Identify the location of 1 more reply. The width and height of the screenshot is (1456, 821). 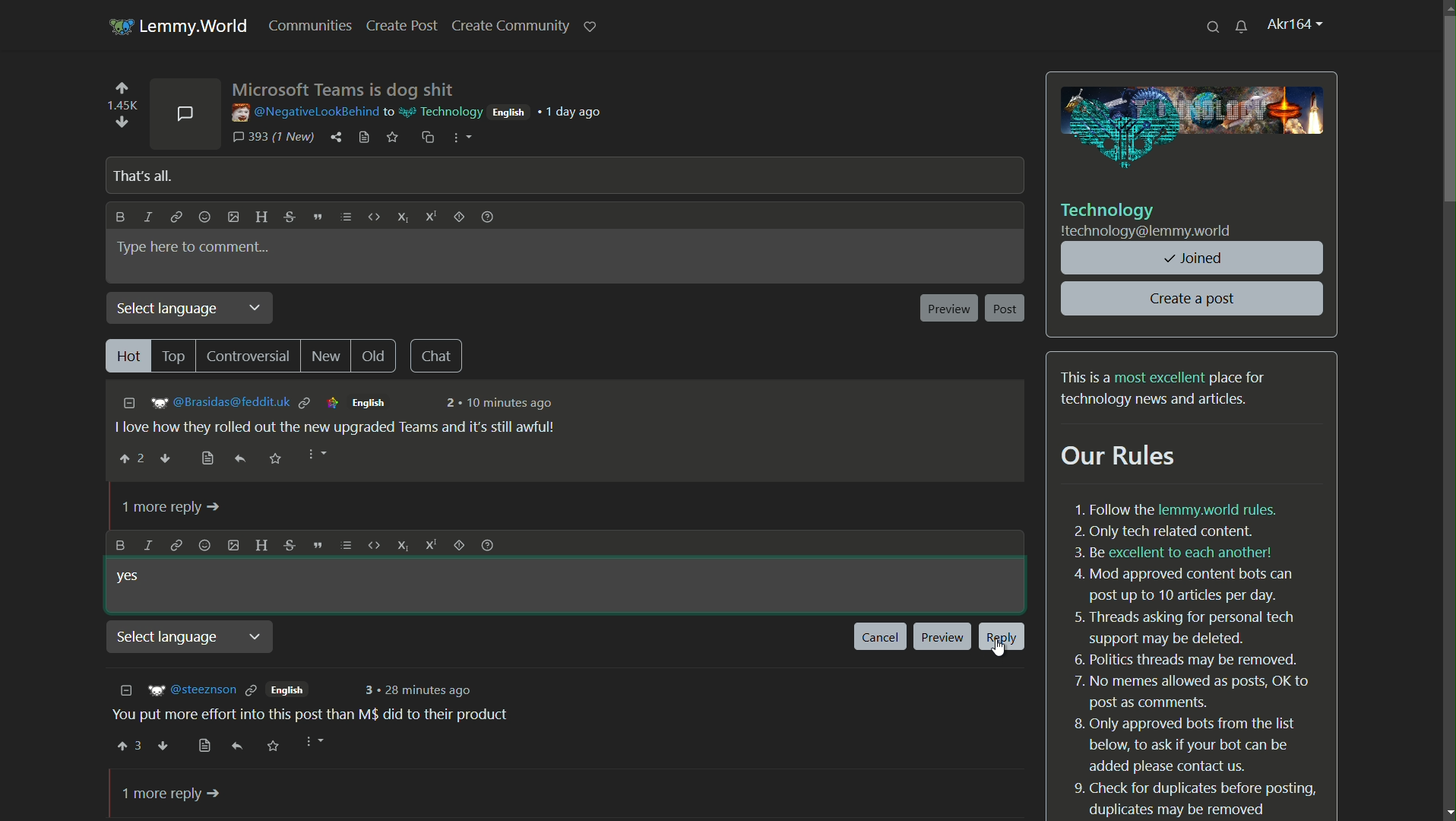
(173, 509).